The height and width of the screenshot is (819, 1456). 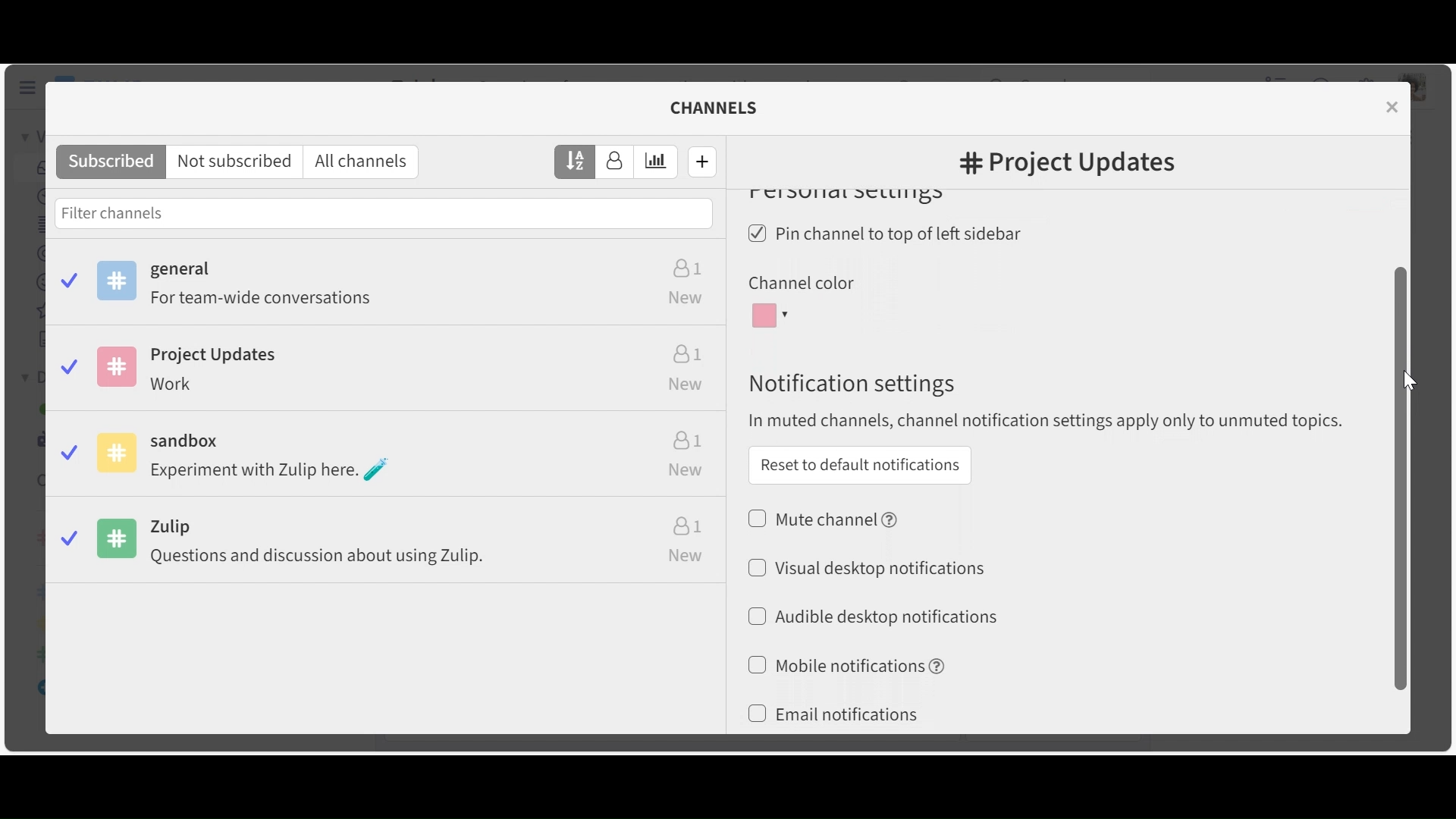 I want to click on channels, so click(x=723, y=108).